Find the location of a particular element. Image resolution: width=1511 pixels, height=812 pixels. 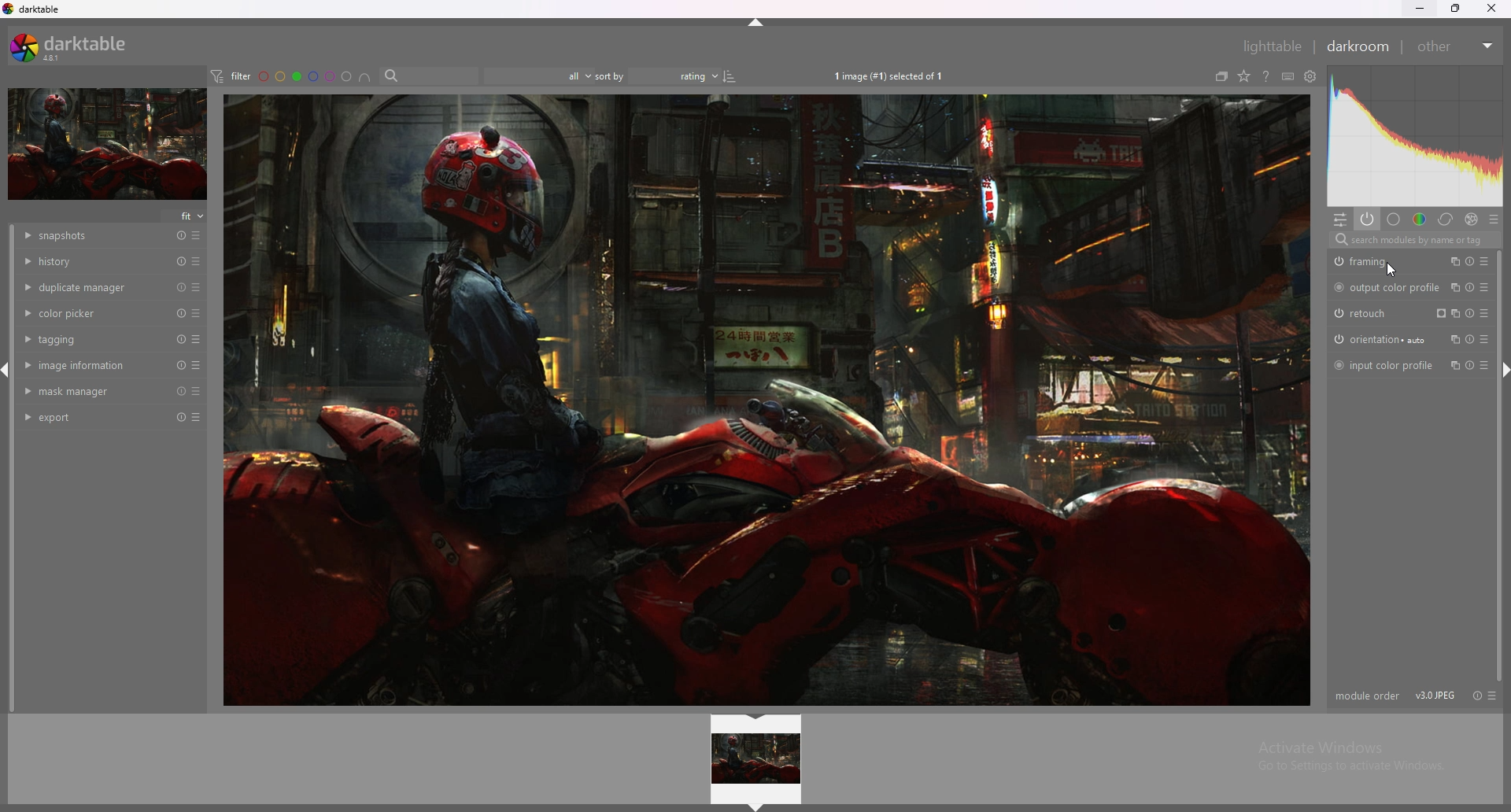

correct is located at coordinates (1444, 220).